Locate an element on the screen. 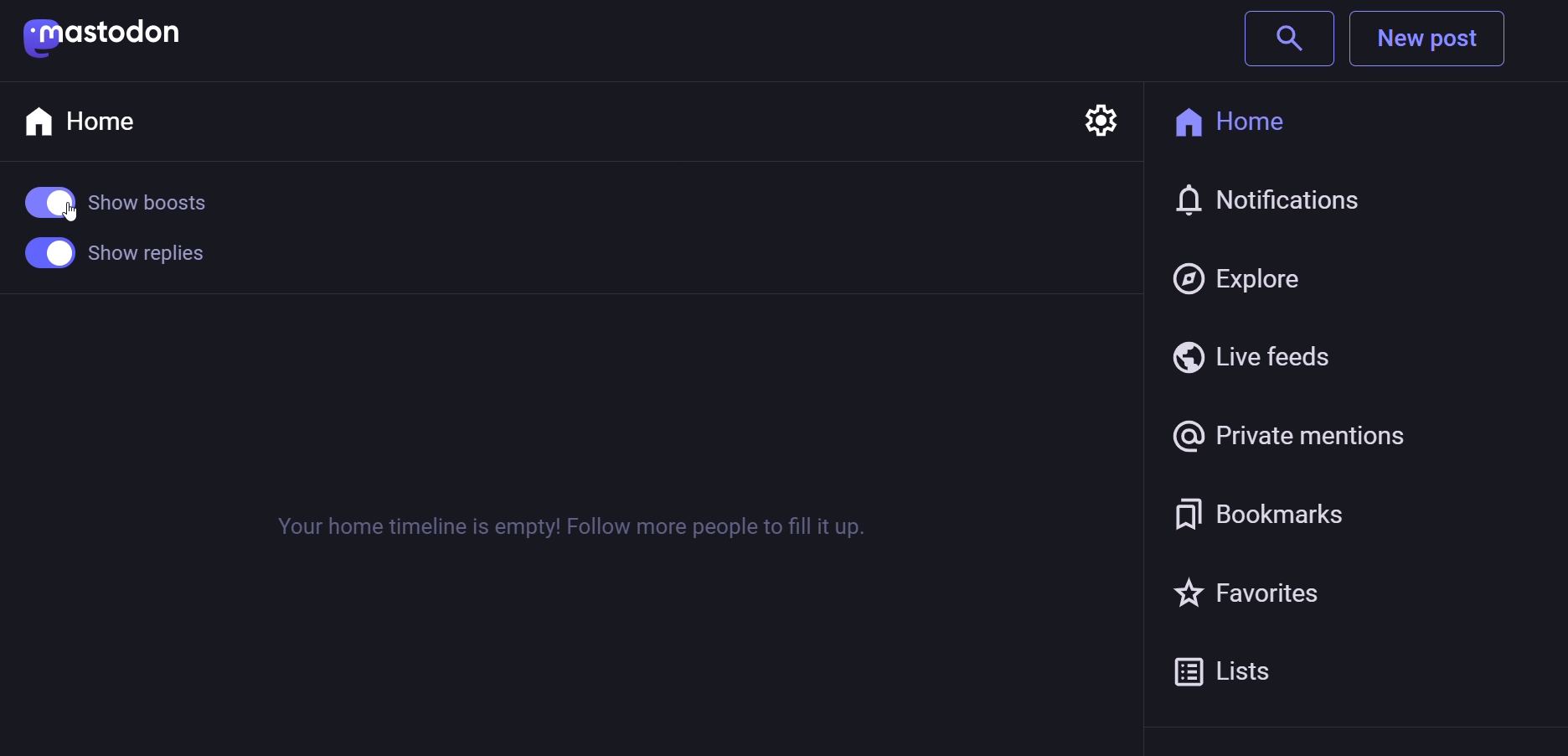 The height and width of the screenshot is (756, 1568). New post is located at coordinates (1428, 40).